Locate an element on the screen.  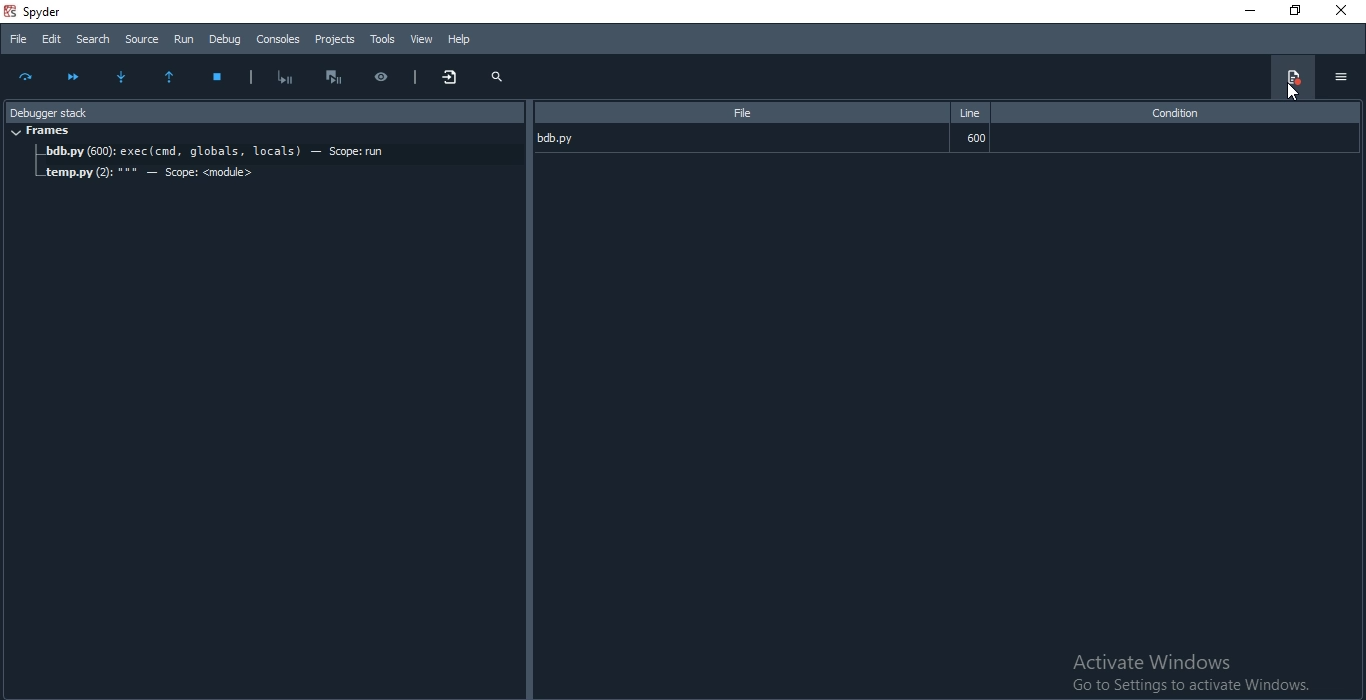
File  is located at coordinates (17, 40).